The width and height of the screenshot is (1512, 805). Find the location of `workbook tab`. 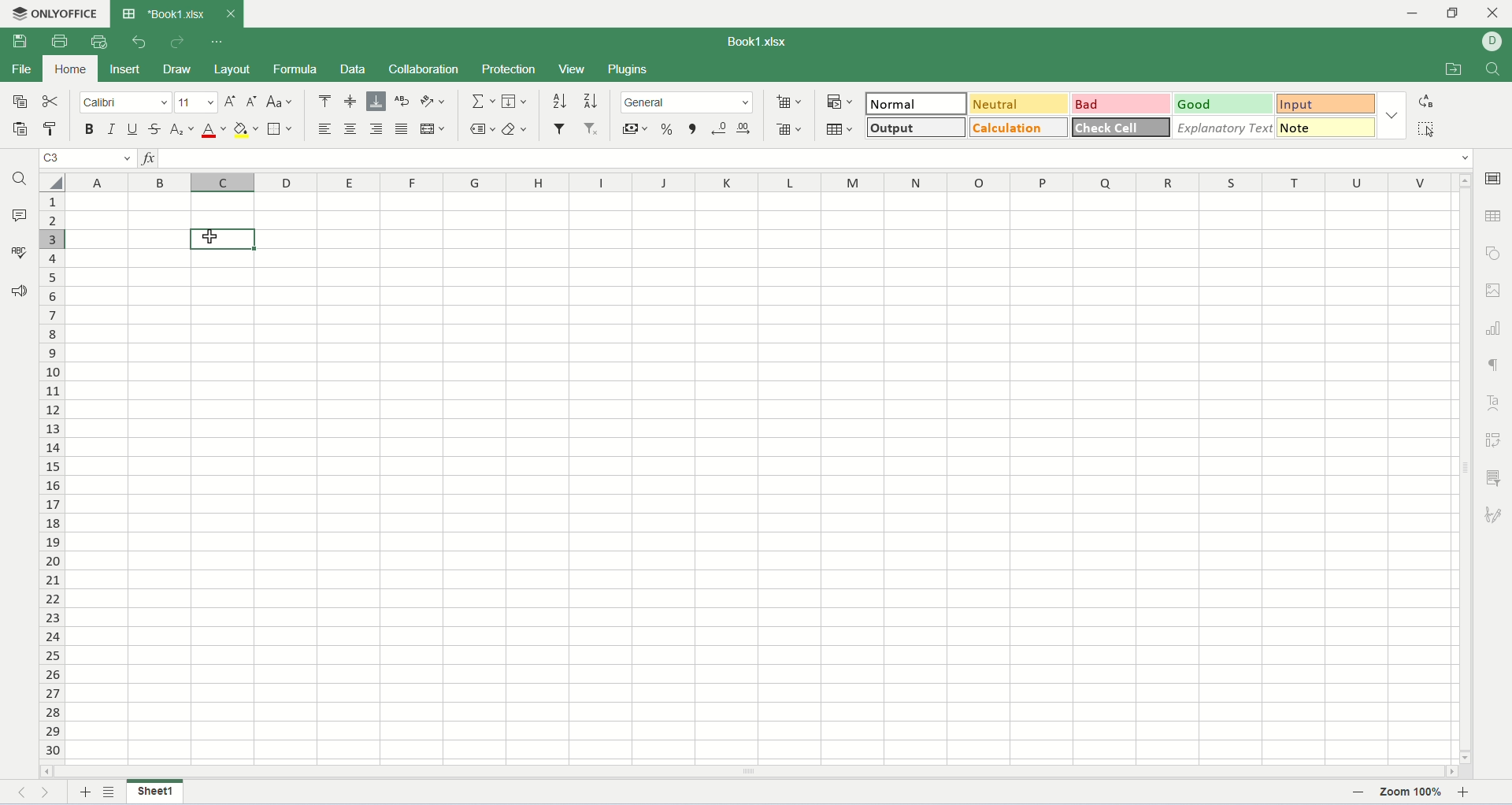

workbook tab is located at coordinates (166, 13).